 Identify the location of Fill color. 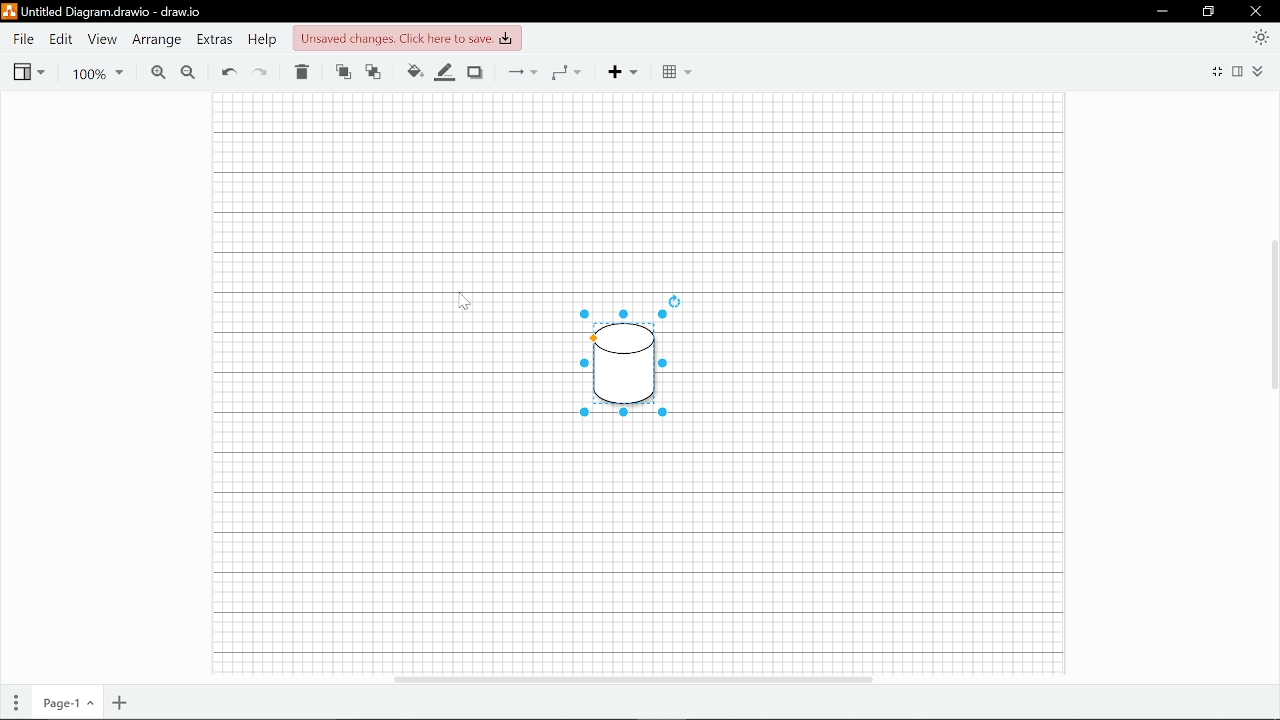
(412, 72).